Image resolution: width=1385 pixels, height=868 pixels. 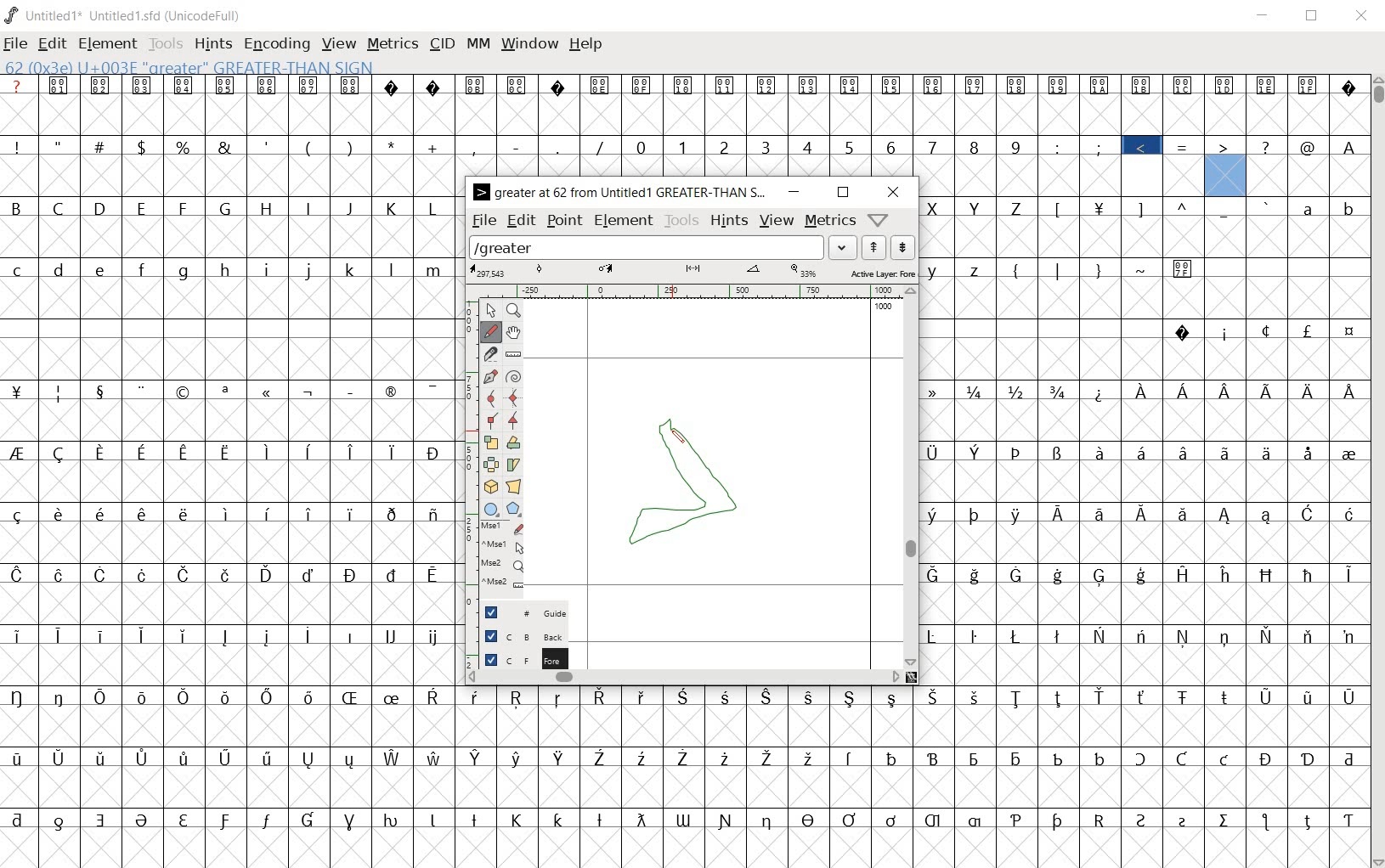 I want to click on element, so click(x=109, y=44).